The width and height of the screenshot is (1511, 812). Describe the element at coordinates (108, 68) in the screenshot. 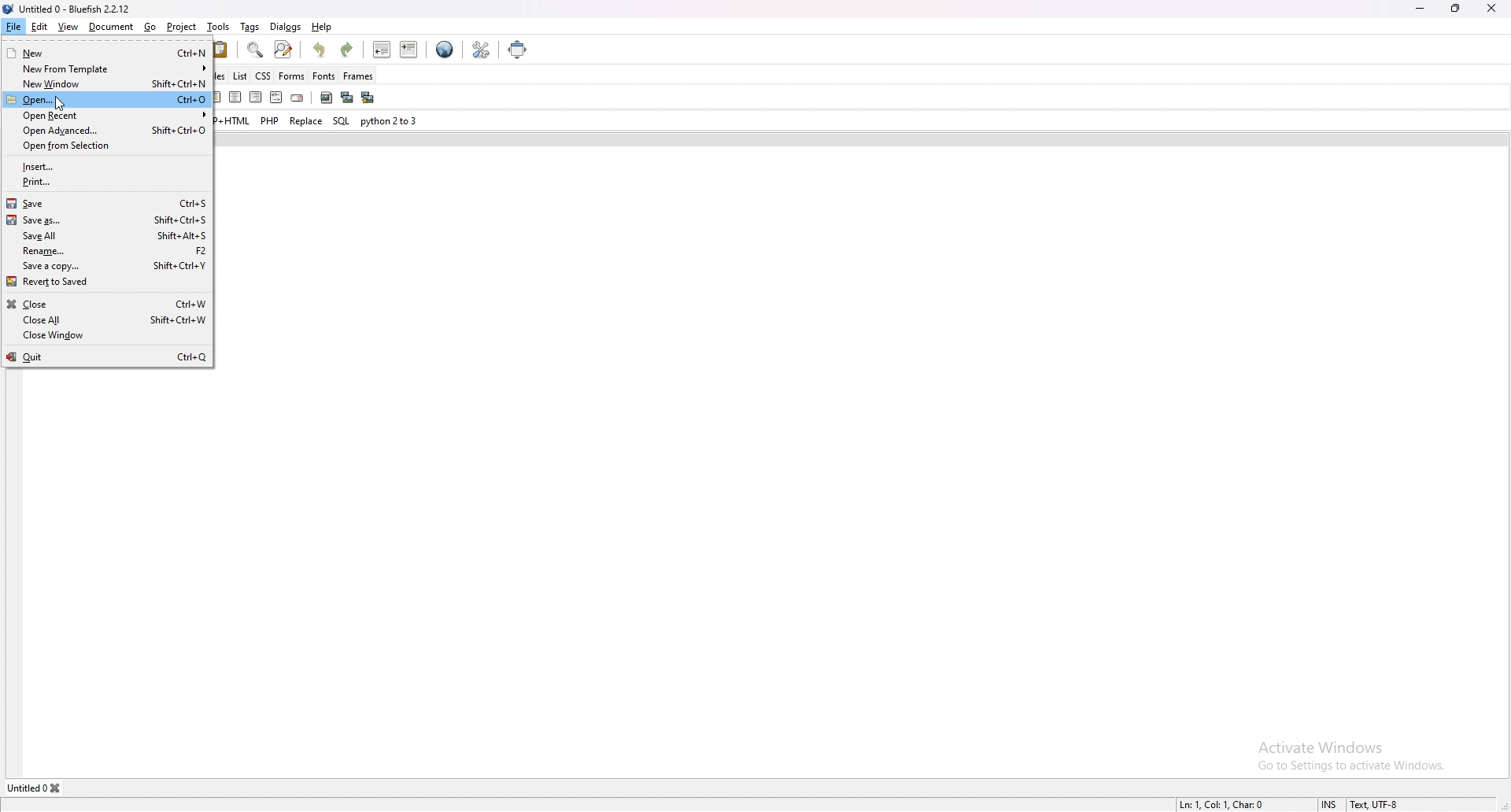

I see `new from template` at that location.